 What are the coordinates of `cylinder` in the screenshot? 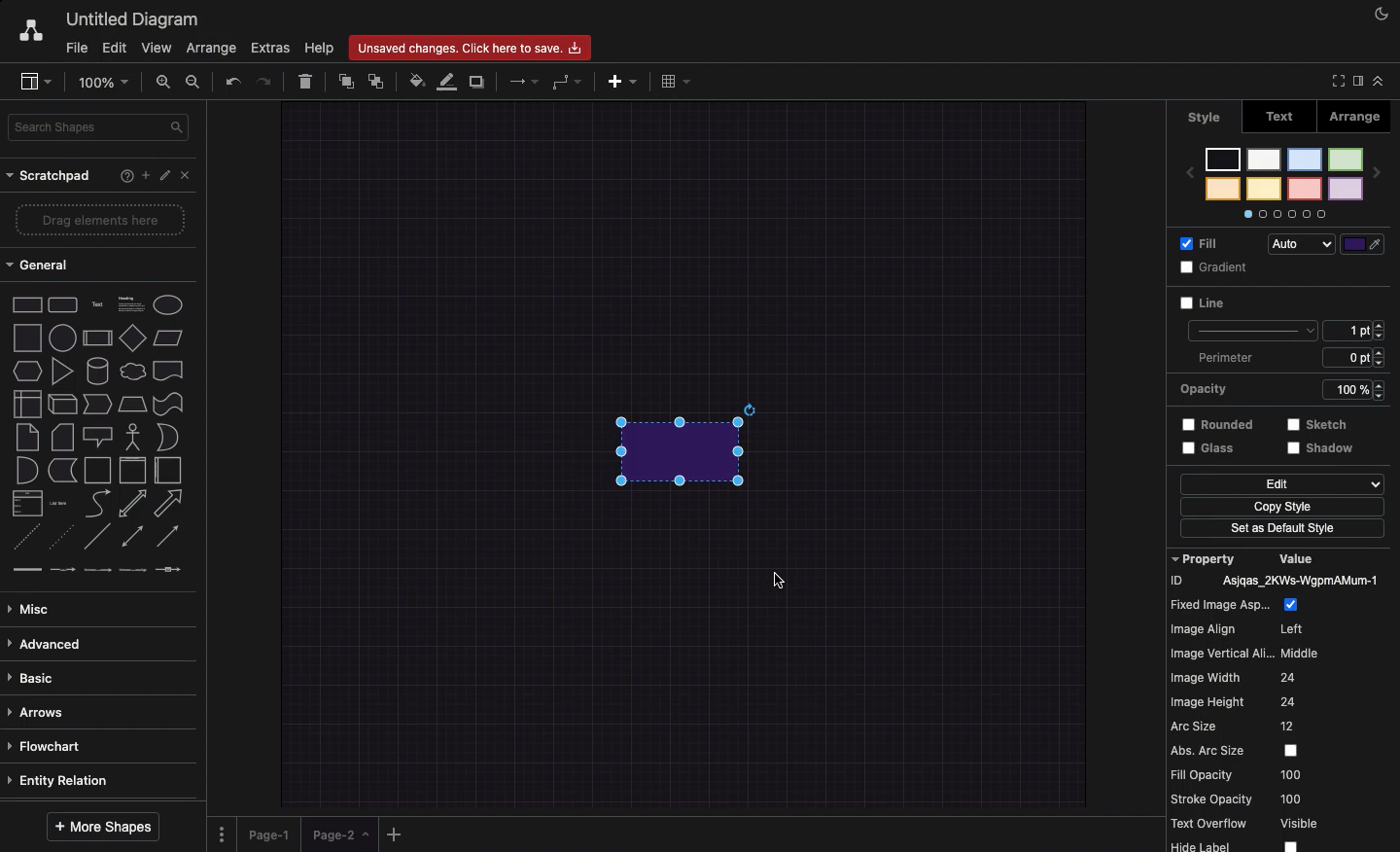 It's located at (97, 370).